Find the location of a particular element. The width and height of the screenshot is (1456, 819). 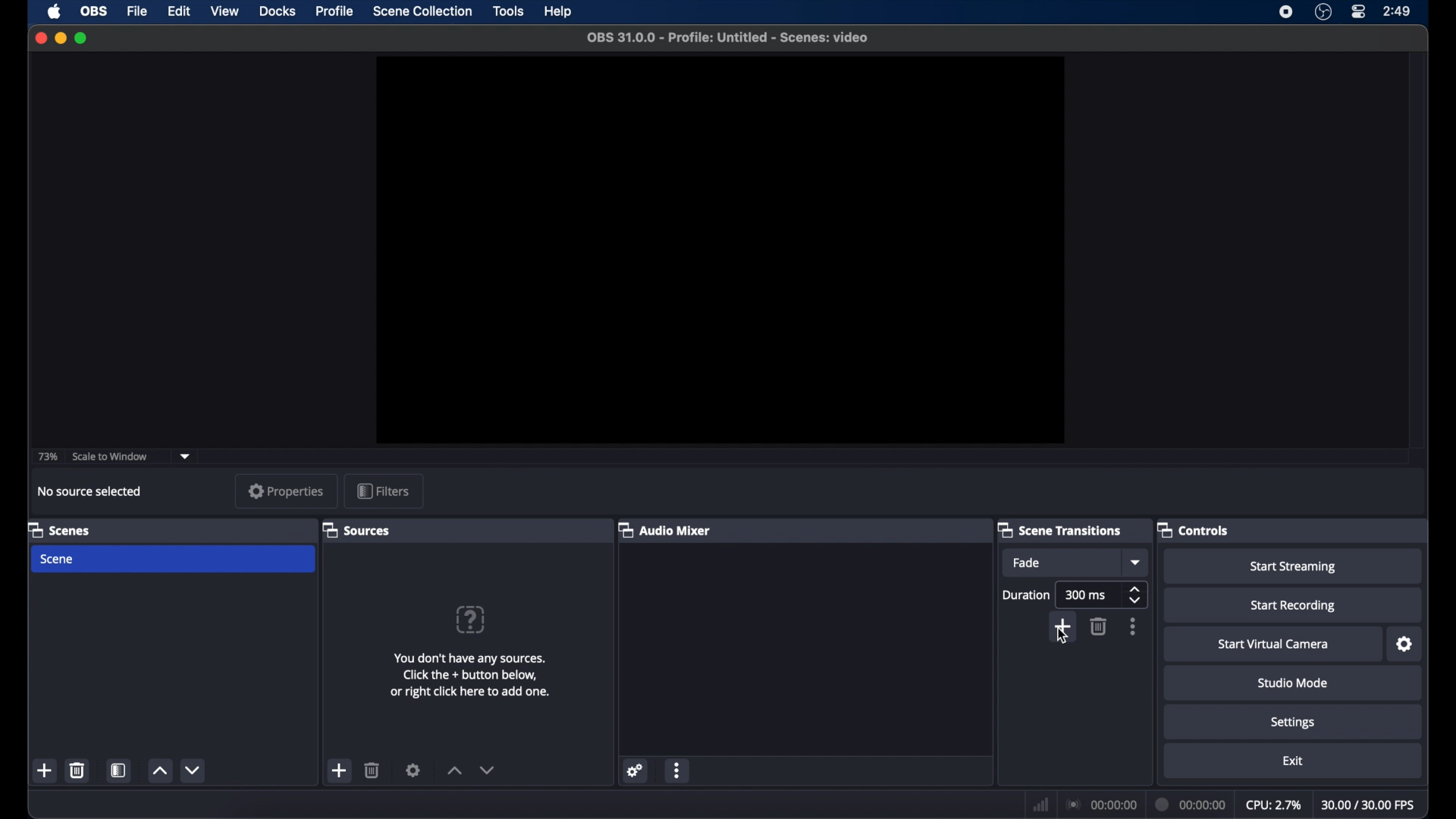

file is located at coordinates (137, 11).